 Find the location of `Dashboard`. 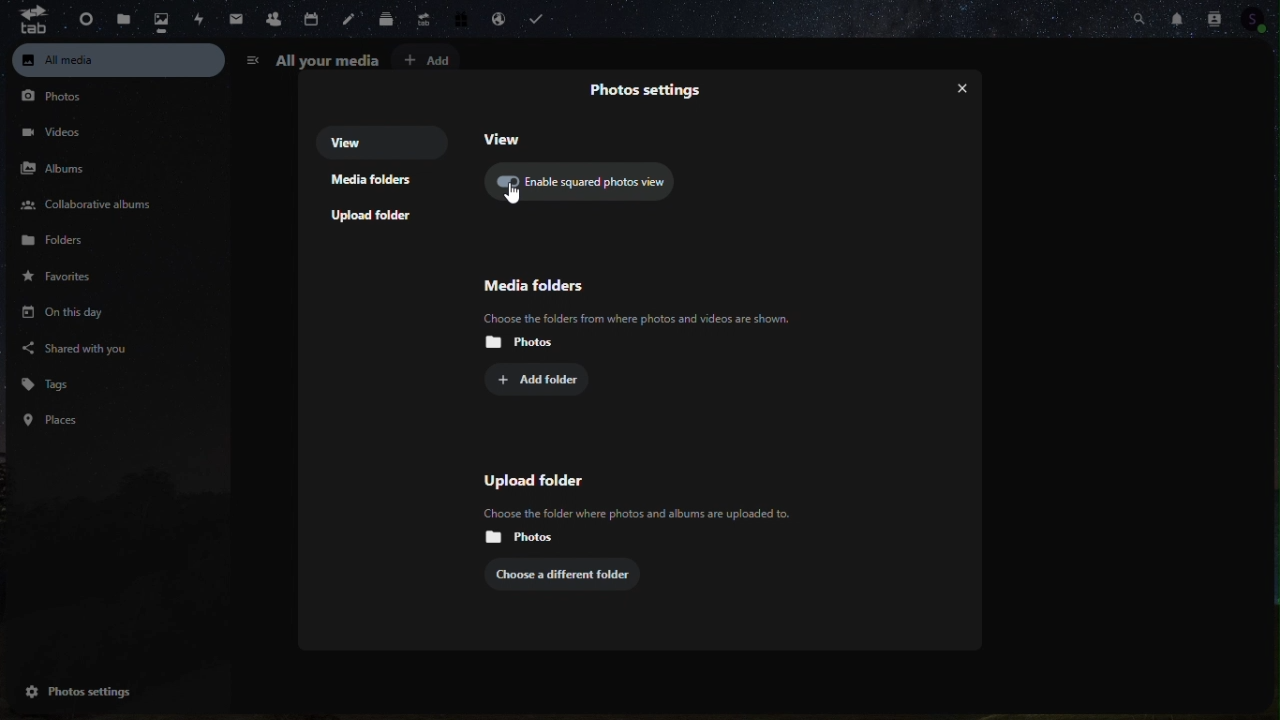

Dashboard is located at coordinates (80, 17).